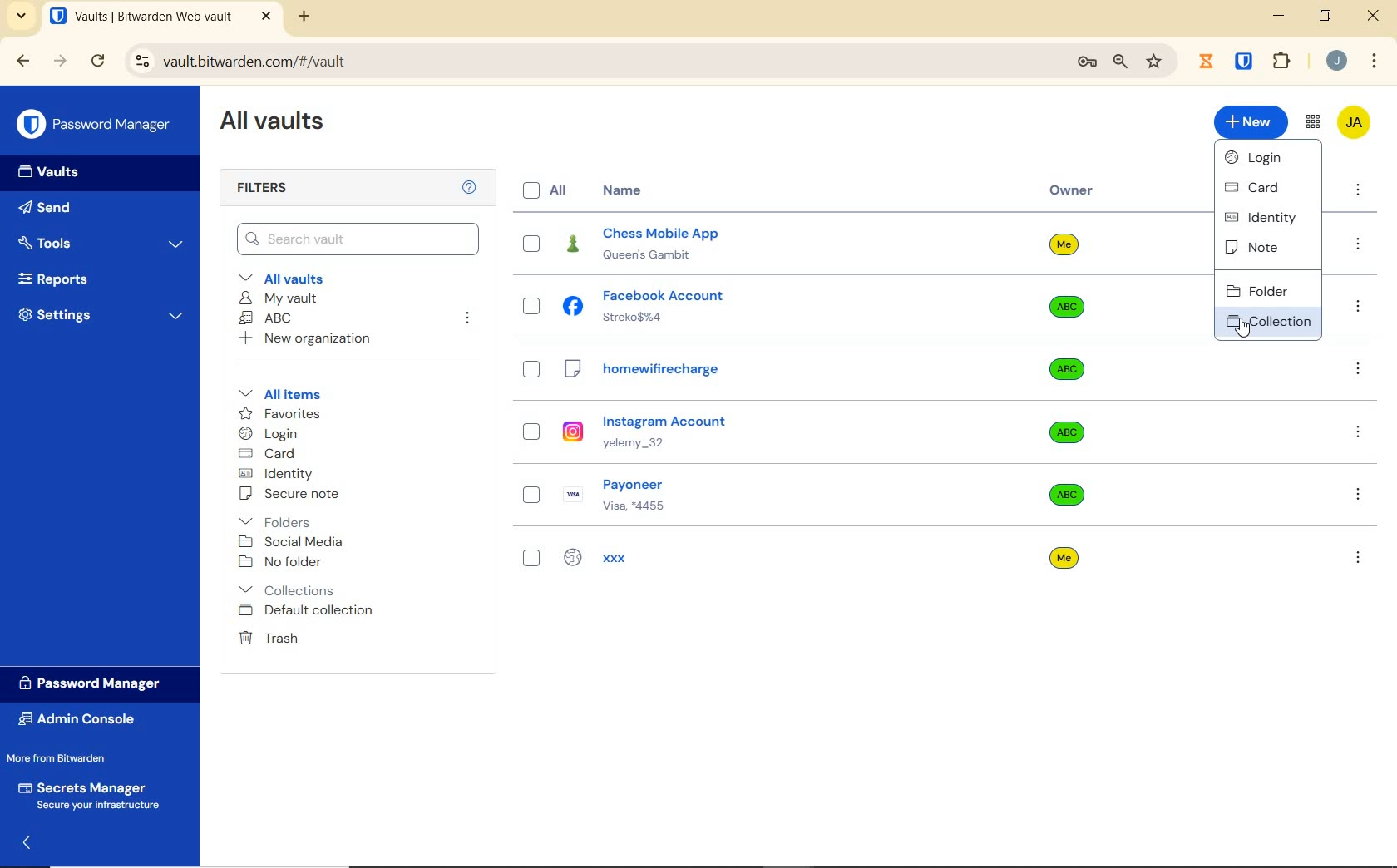  Describe the element at coordinates (1261, 187) in the screenshot. I see `card` at that location.